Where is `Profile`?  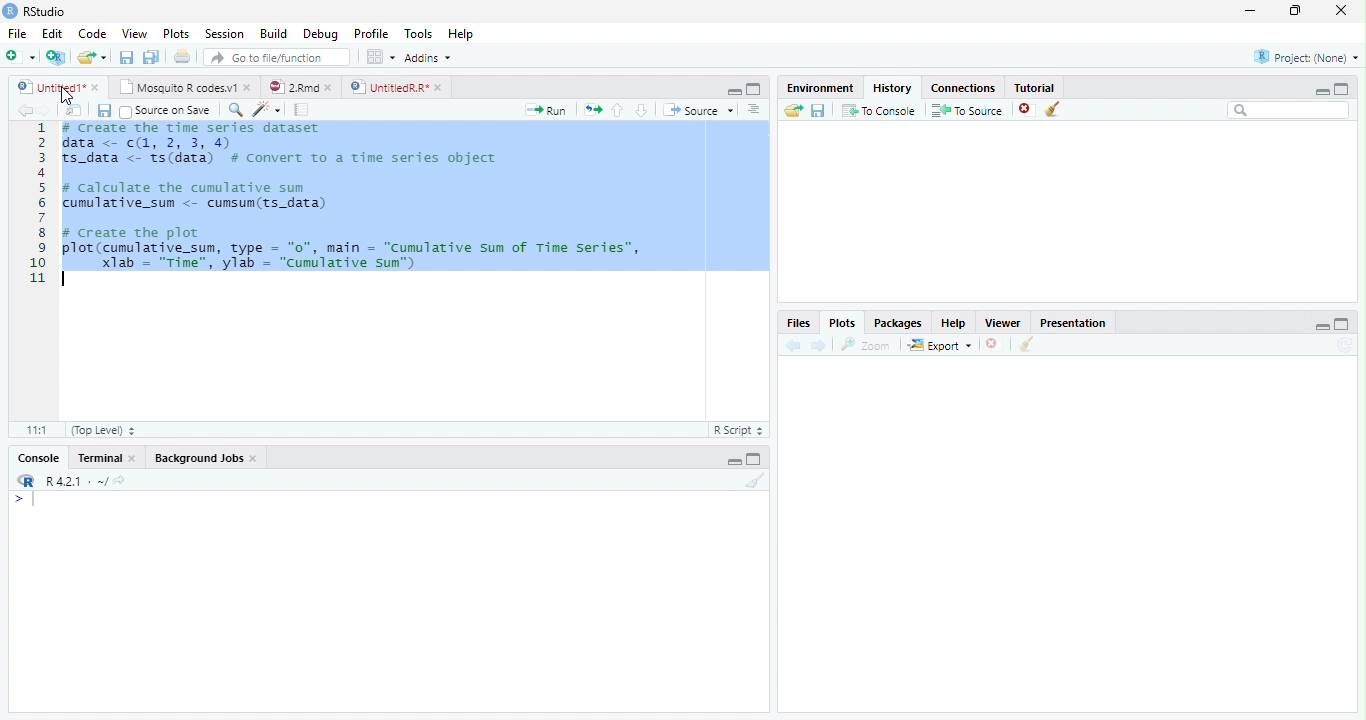
Profile is located at coordinates (372, 35).